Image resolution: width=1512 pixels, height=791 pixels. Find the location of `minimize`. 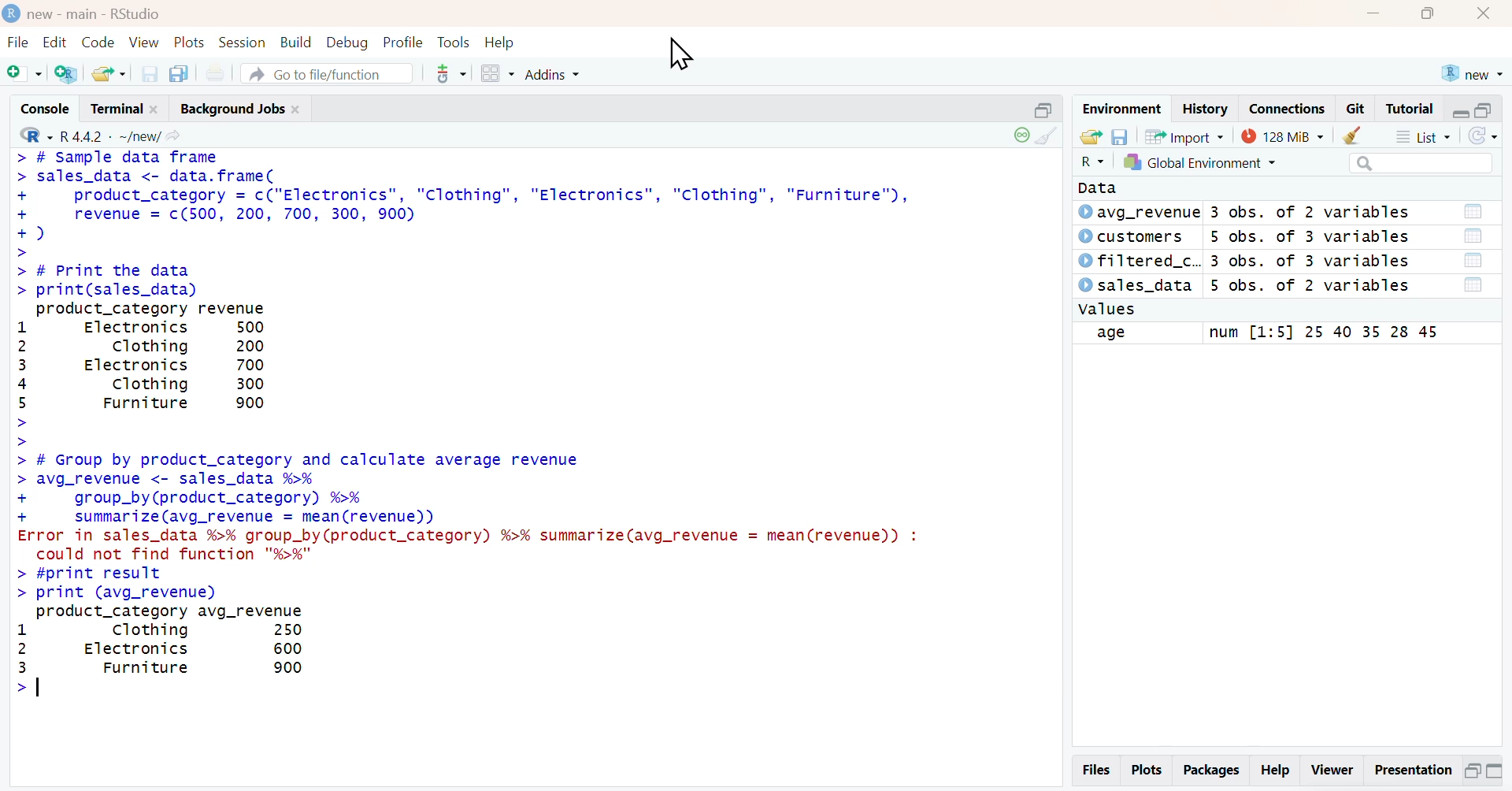

minimize is located at coordinates (1373, 14).